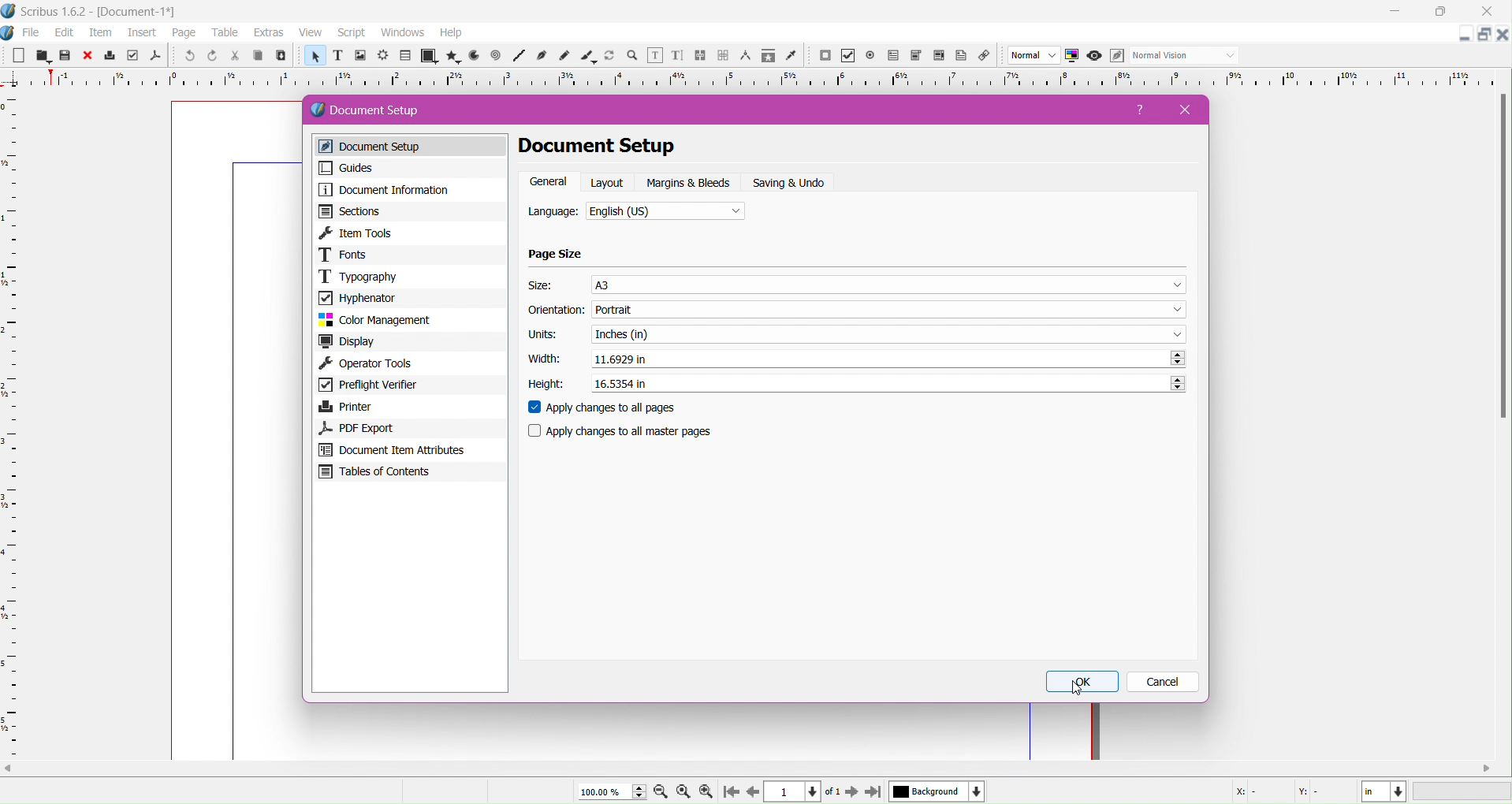 Image resolution: width=1512 pixels, height=804 pixels. I want to click on go to last page, so click(873, 793).